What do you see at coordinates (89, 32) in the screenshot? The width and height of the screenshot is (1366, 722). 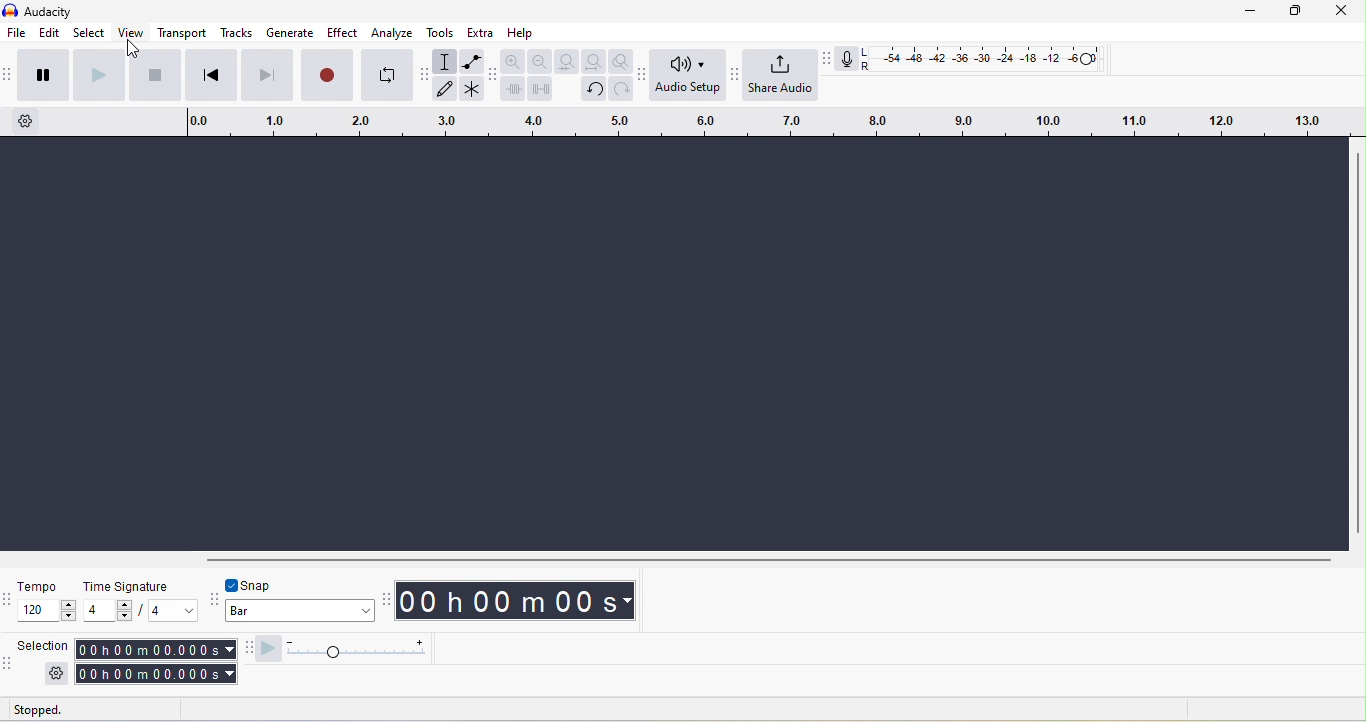 I see `select` at bounding box center [89, 32].